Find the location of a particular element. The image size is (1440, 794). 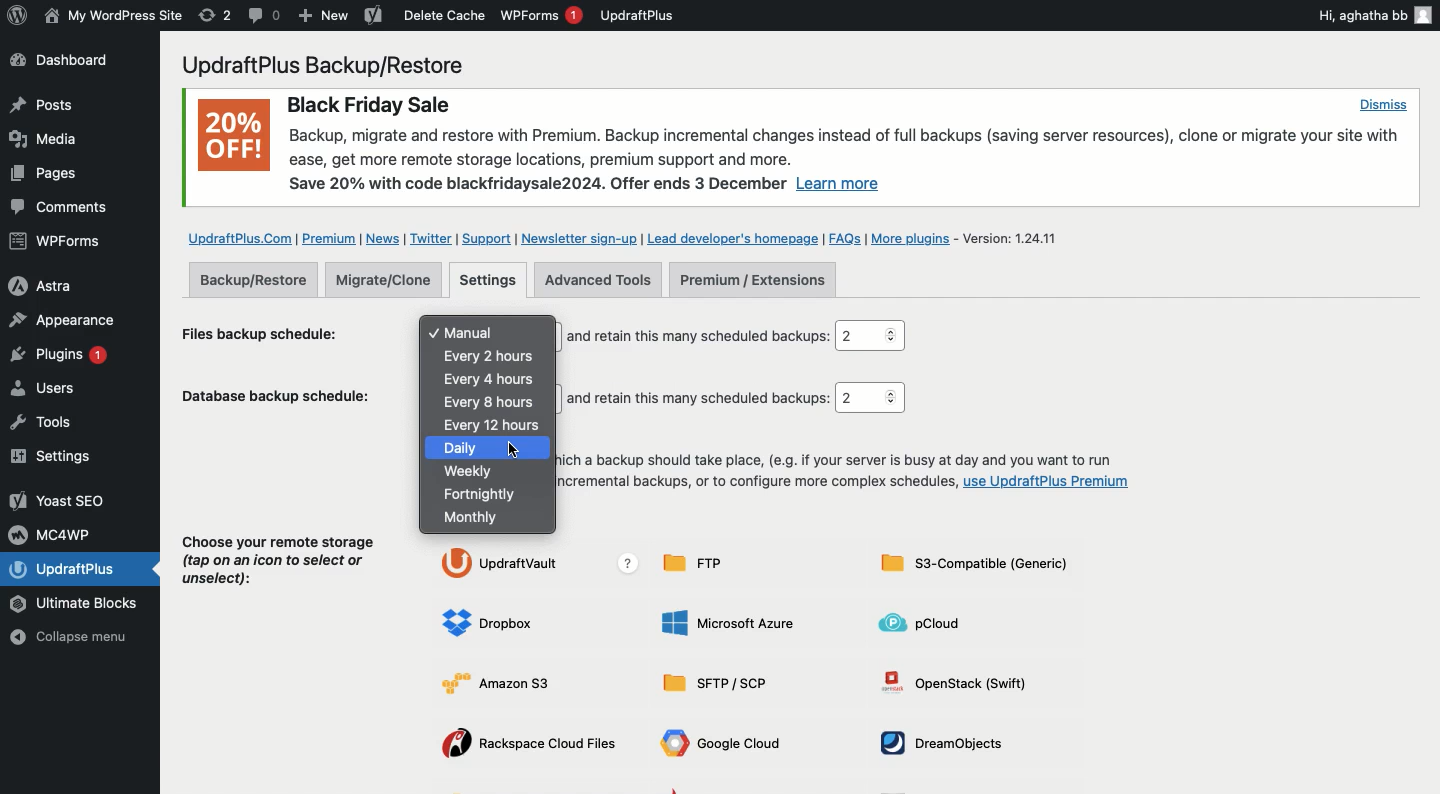

WPForms is located at coordinates (58, 243).